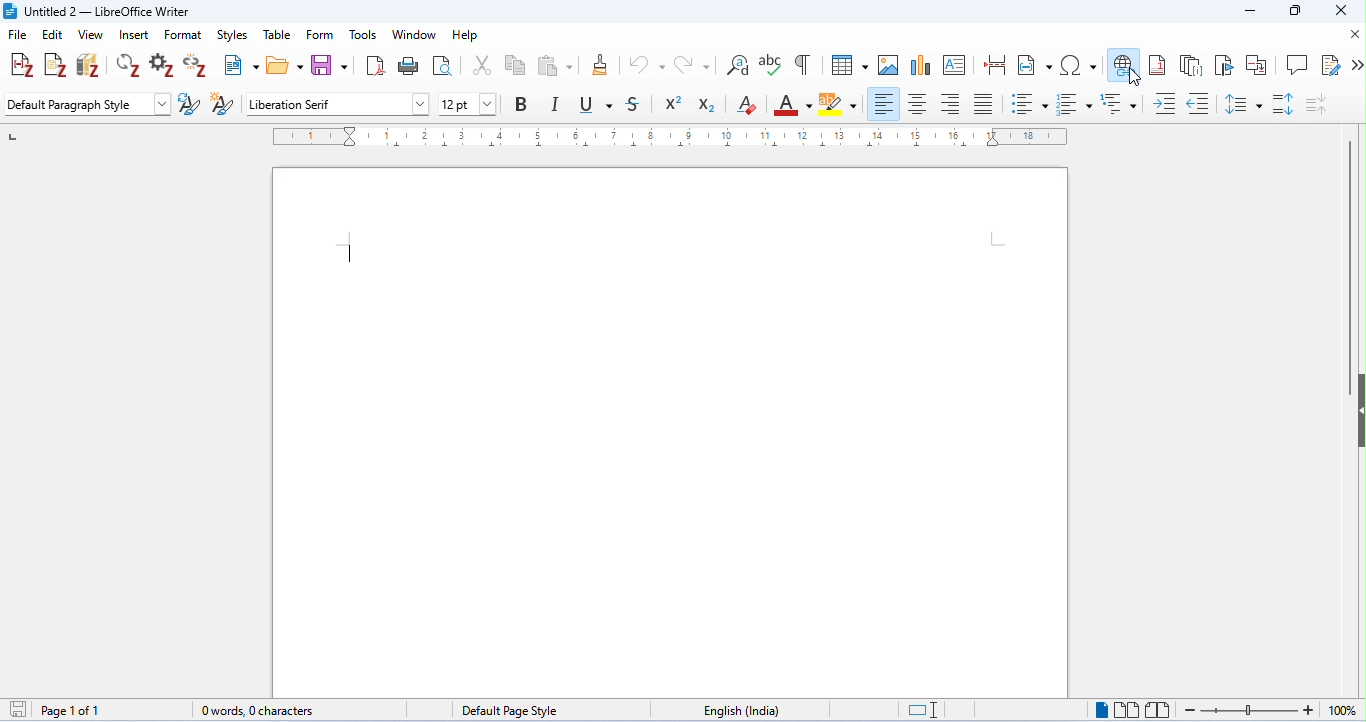 The width and height of the screenshot is (1366, 722). What do you see at coordinates (840, 105) in the screenshot?
I see `background color` at bounding box center [840, 105].